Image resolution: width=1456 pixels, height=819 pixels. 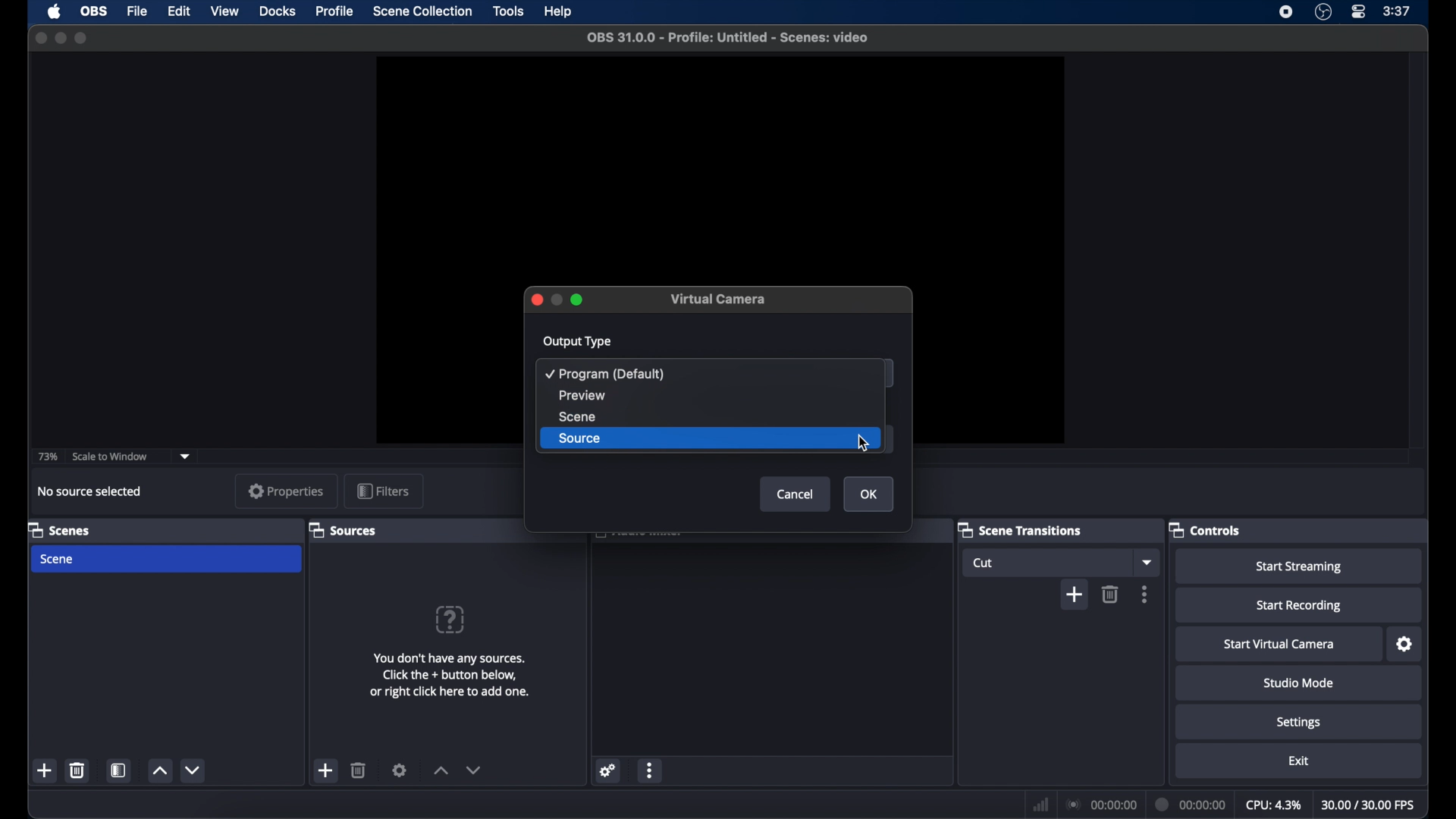 What do you see at coordinates (1286, 12) in the screenshot?
I see `screen recording` at bounding box center [1286, 12].